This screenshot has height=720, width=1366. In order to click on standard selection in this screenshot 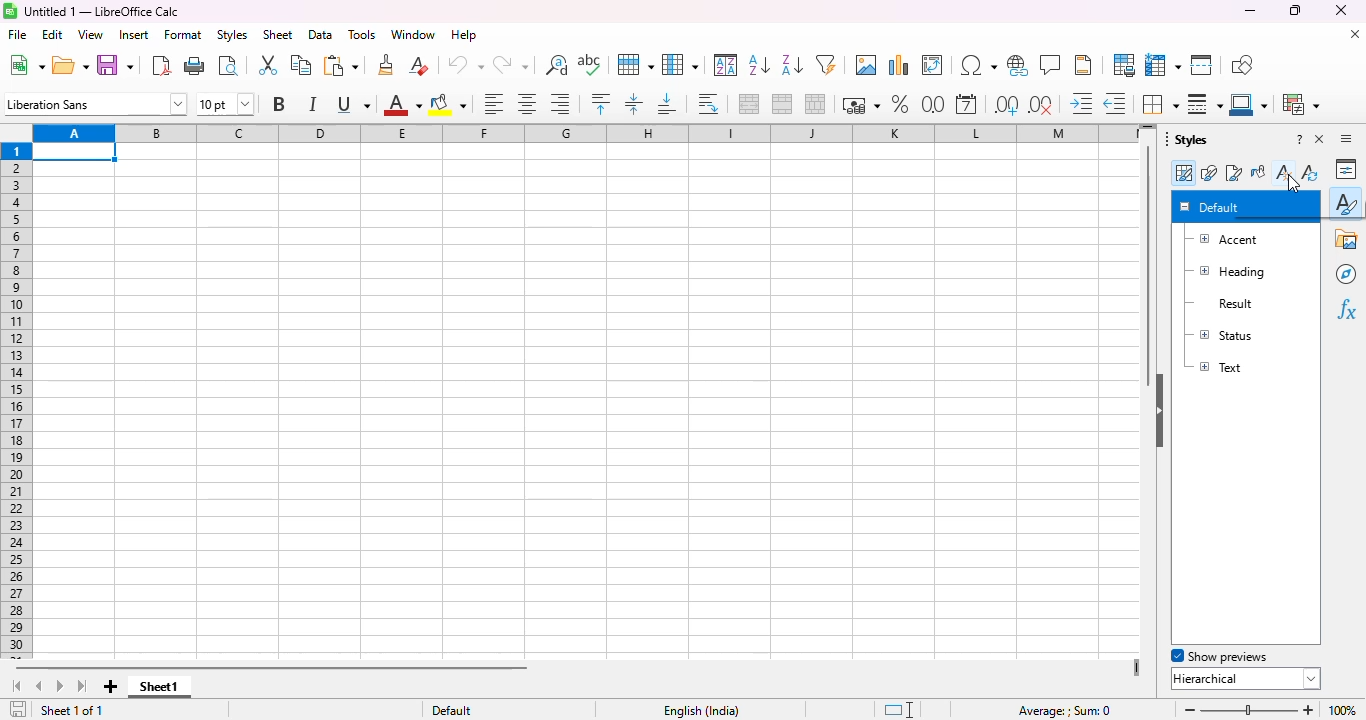, I will do `click(898, 710)`.